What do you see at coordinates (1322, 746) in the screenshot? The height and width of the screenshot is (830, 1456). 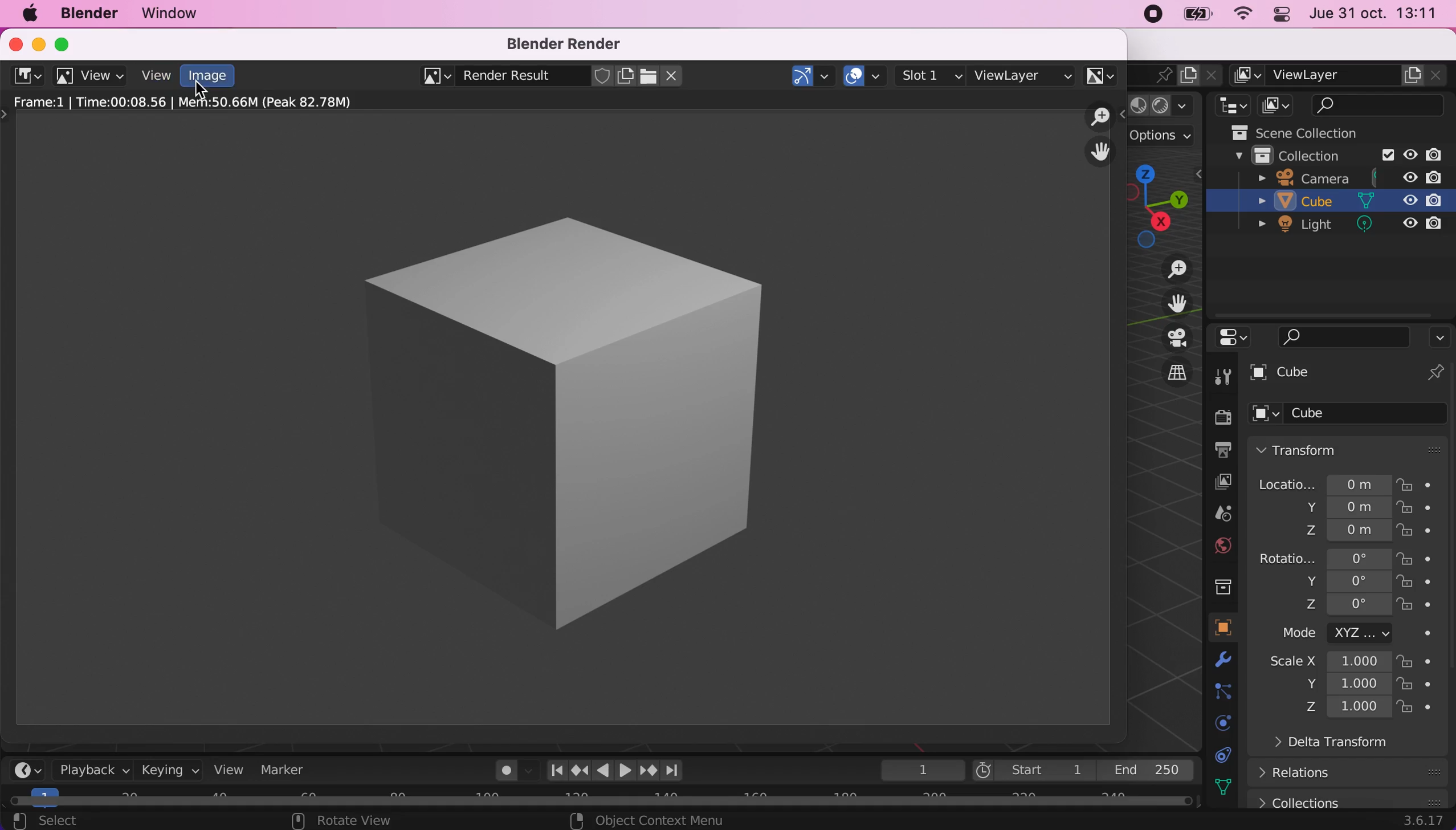 I see `delta transform` at bounding box center [1322, 746].